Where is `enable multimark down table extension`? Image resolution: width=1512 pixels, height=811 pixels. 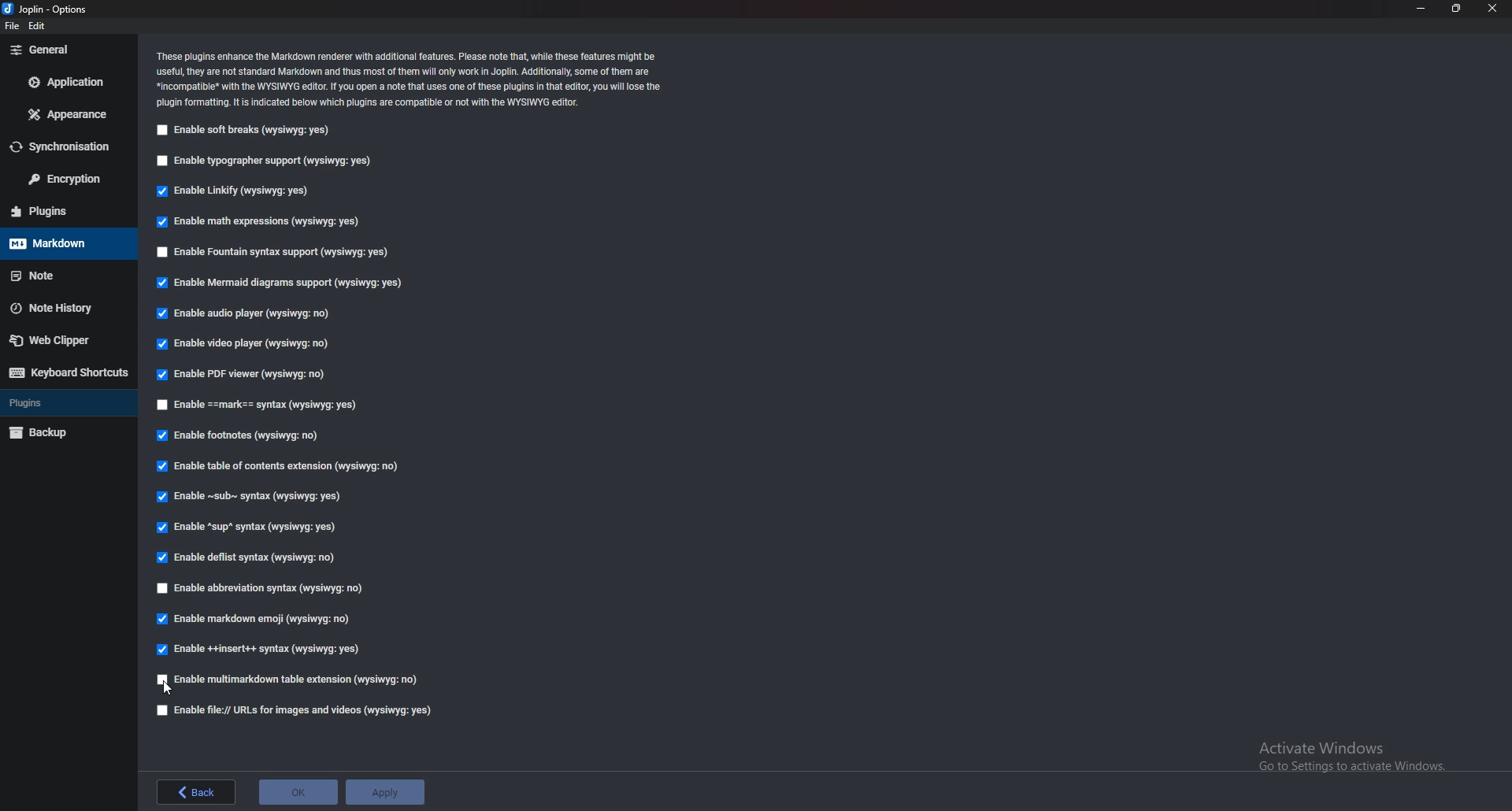 enable multimark down table extension is located at coordinates (291, 680).